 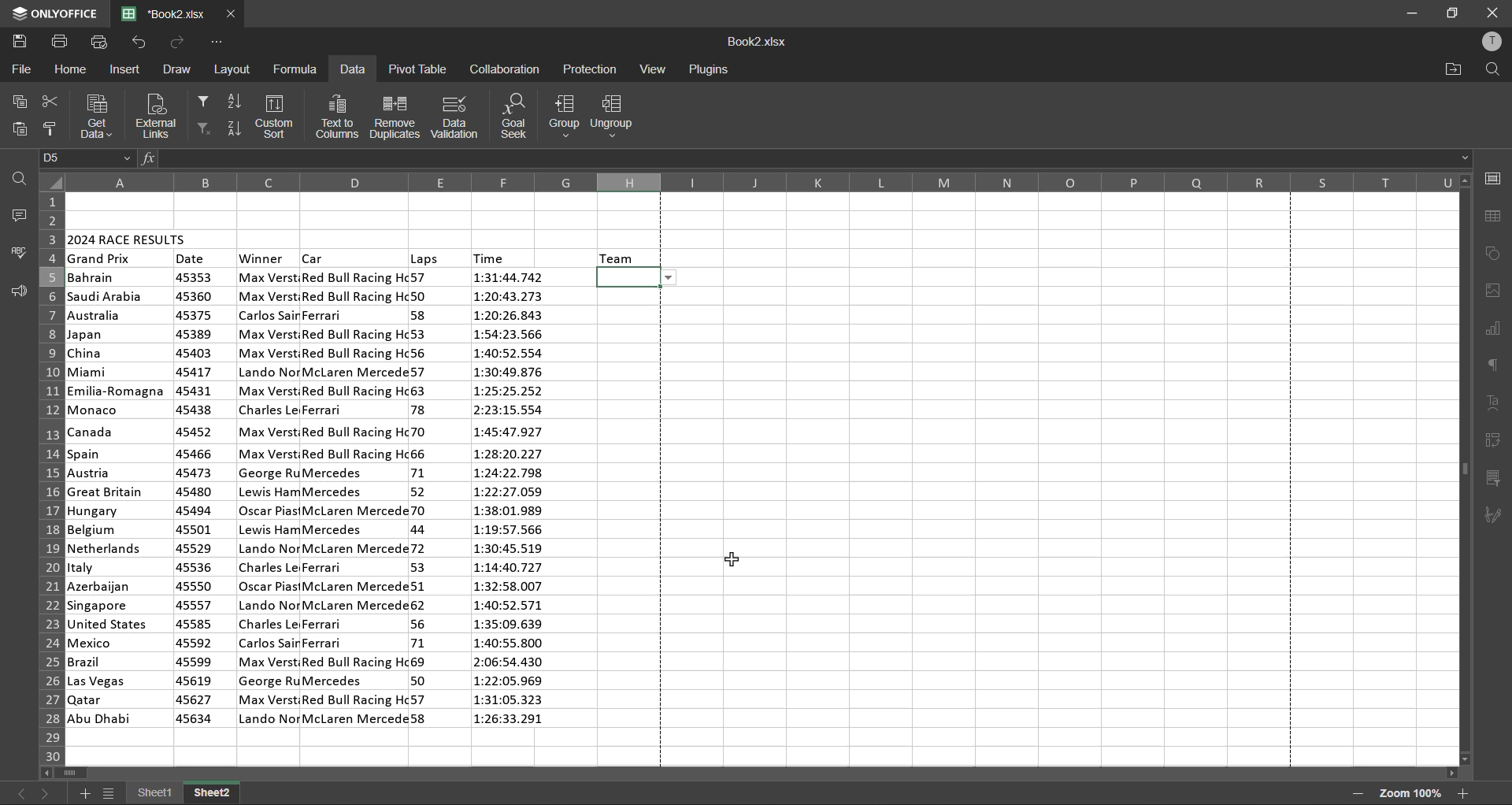 I want to click on external links, so click(x=160, y=115).